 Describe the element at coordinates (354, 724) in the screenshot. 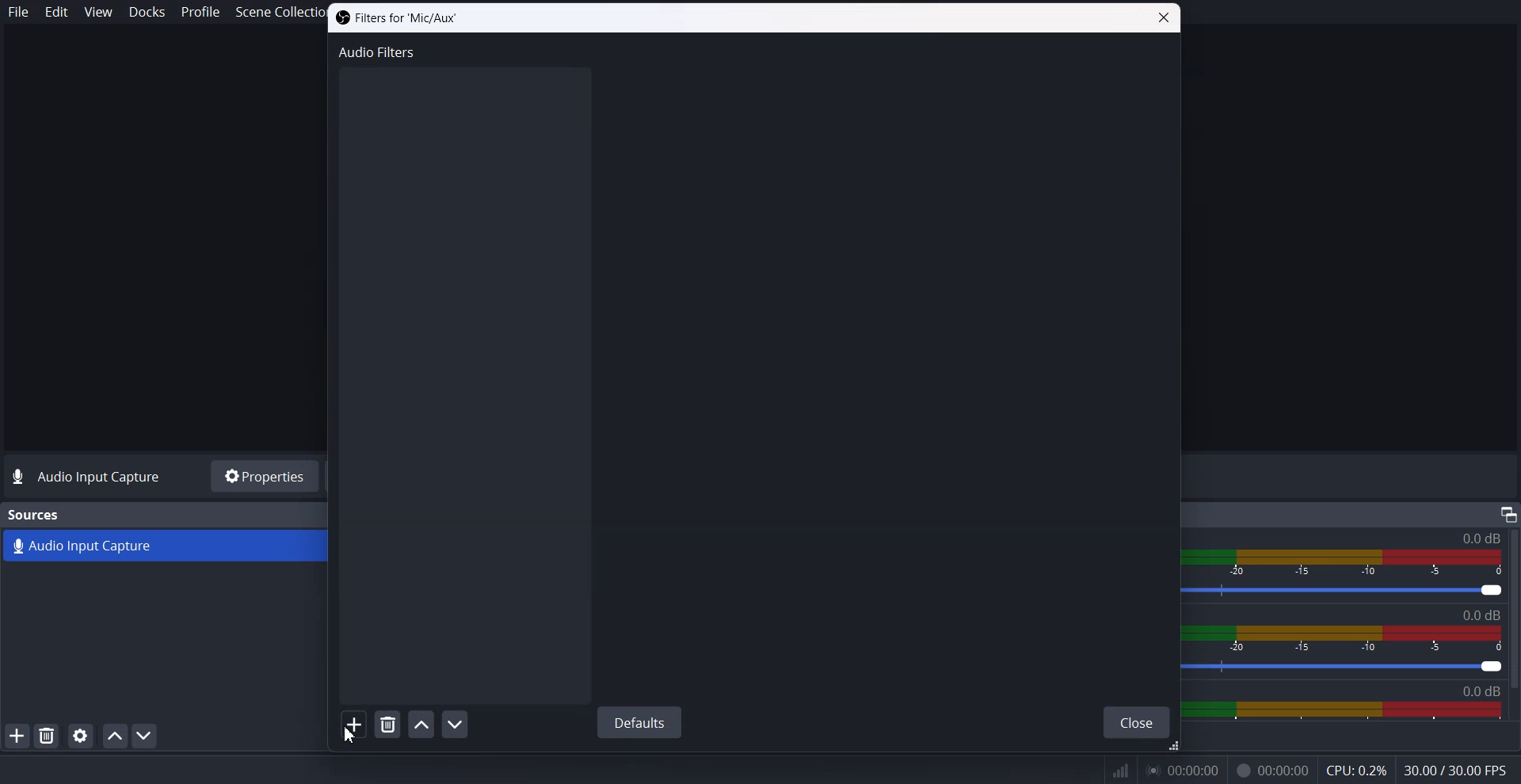

I see `Add Filters` at that location.